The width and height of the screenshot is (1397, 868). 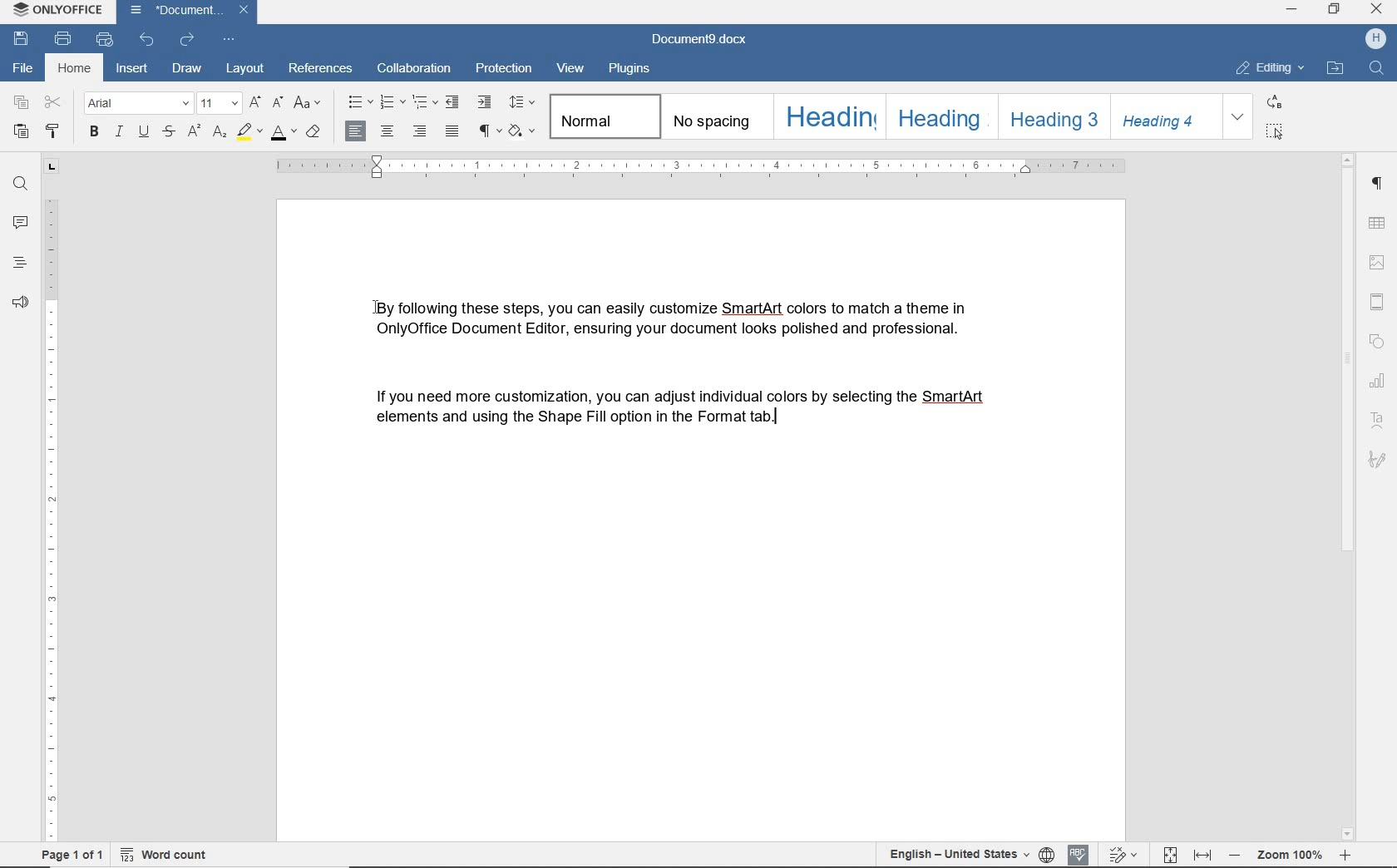 I want to click on ruler, so click(x=695, y=165).